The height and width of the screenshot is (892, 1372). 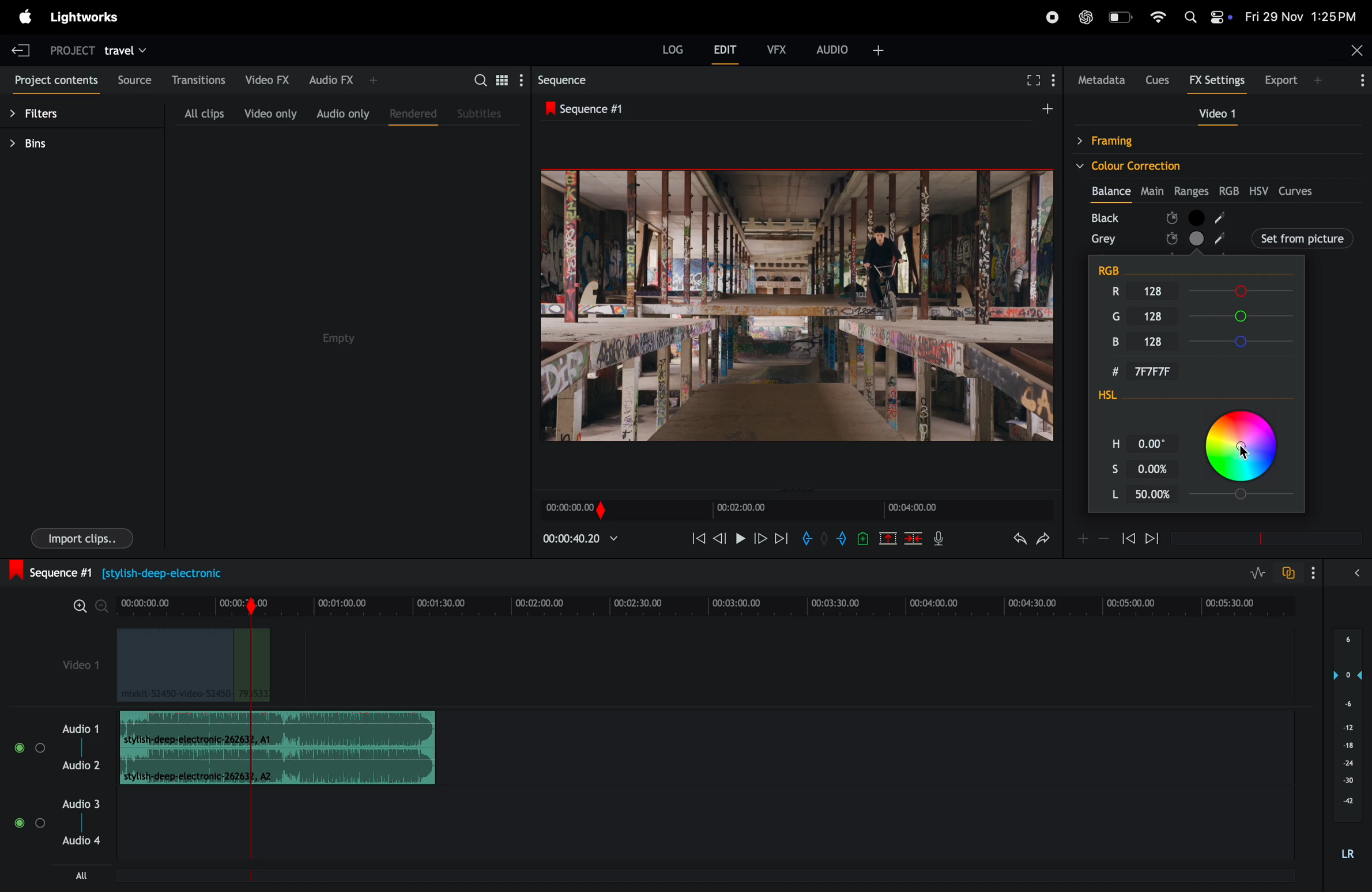 I want to click on rewind, so click(x=1128, y=539).